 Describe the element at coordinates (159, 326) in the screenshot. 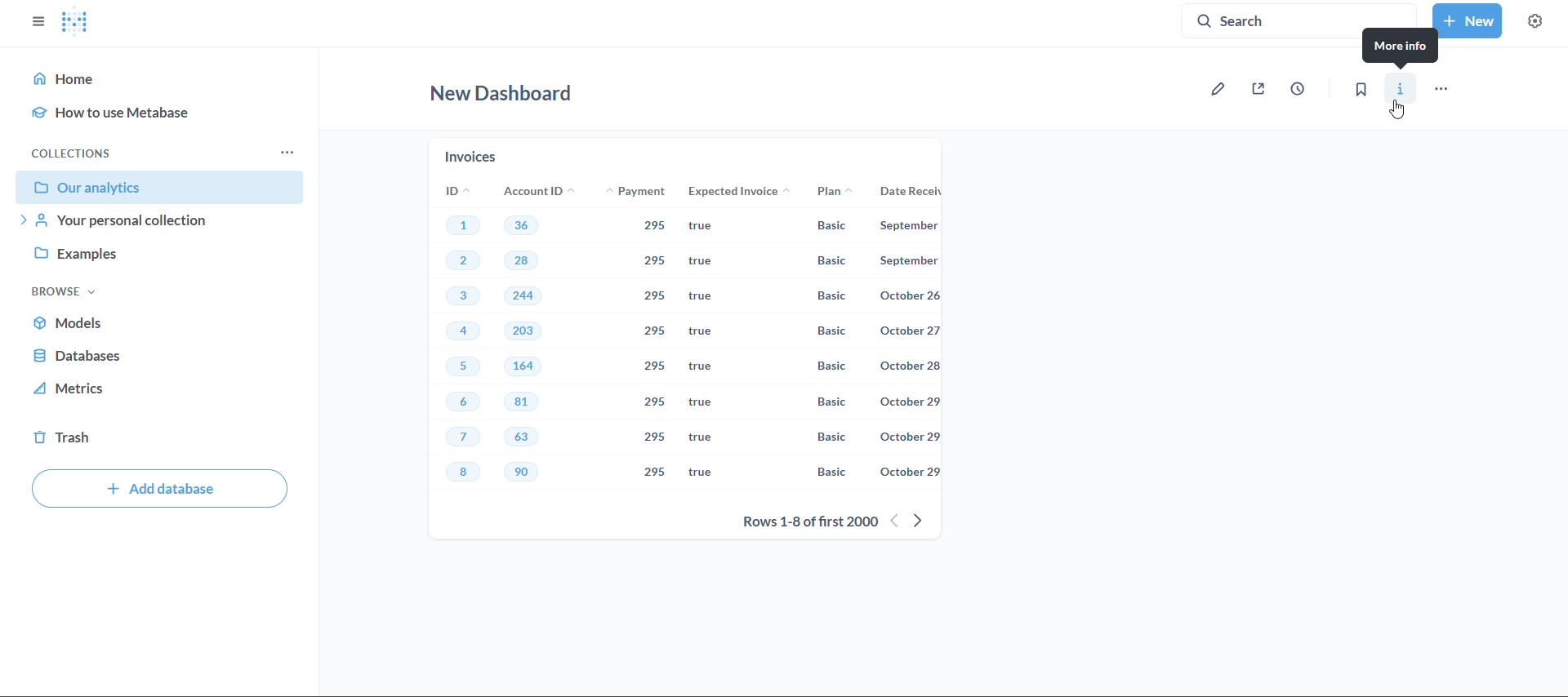

I see `models` at that location.